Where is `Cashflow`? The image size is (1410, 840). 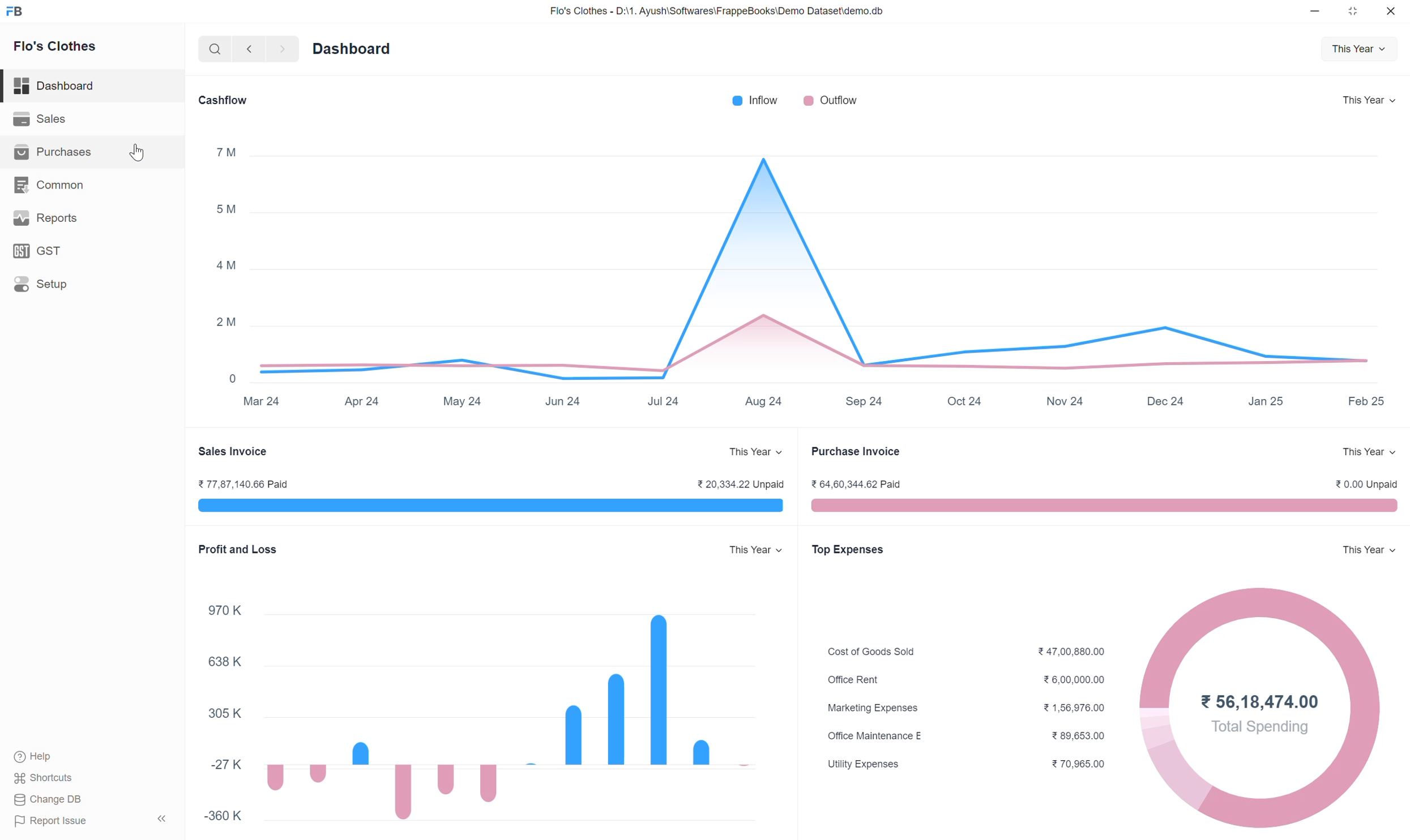
Cashflow is located at coordinates (223, 100).